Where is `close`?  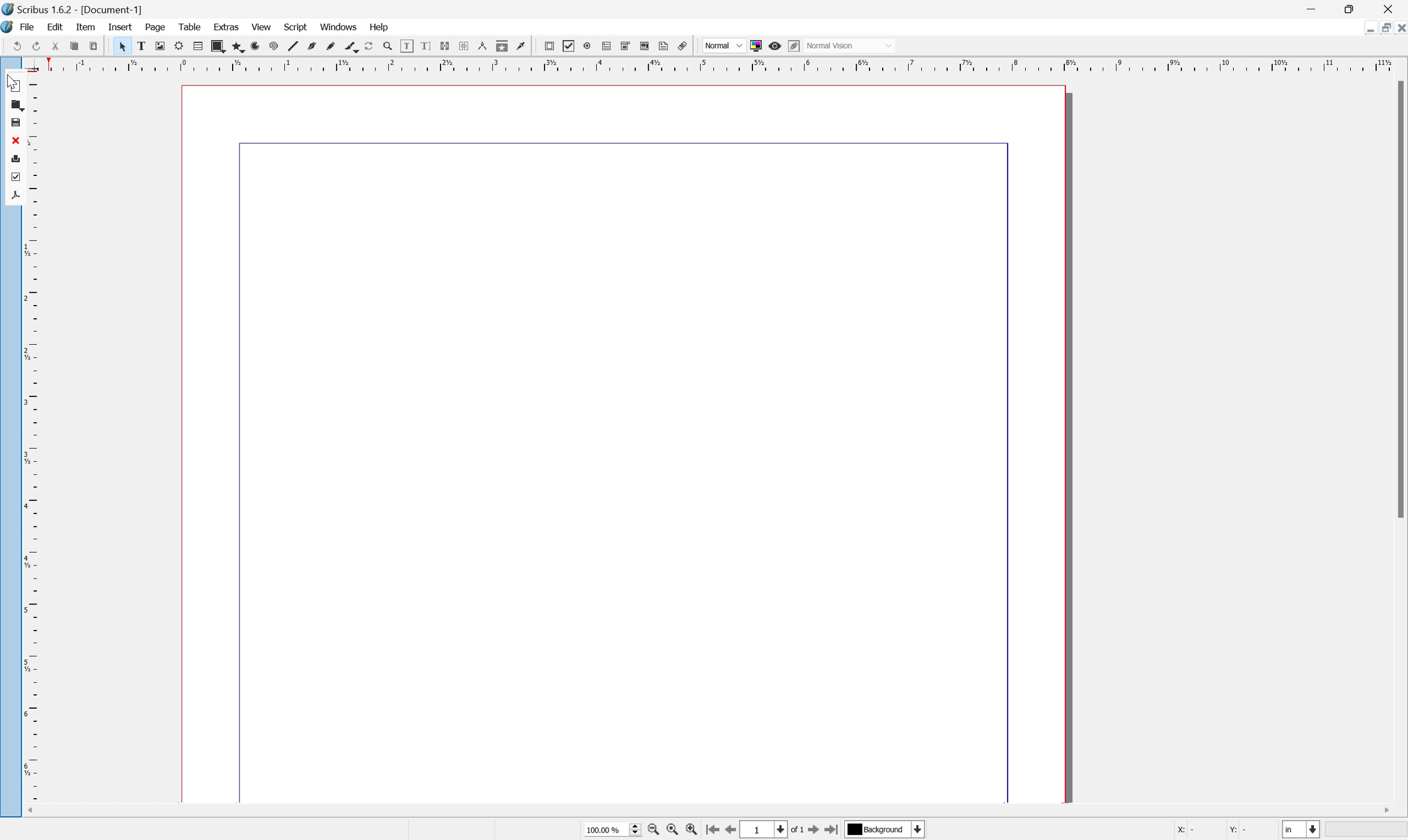 close is located at coordinates (73, 45).